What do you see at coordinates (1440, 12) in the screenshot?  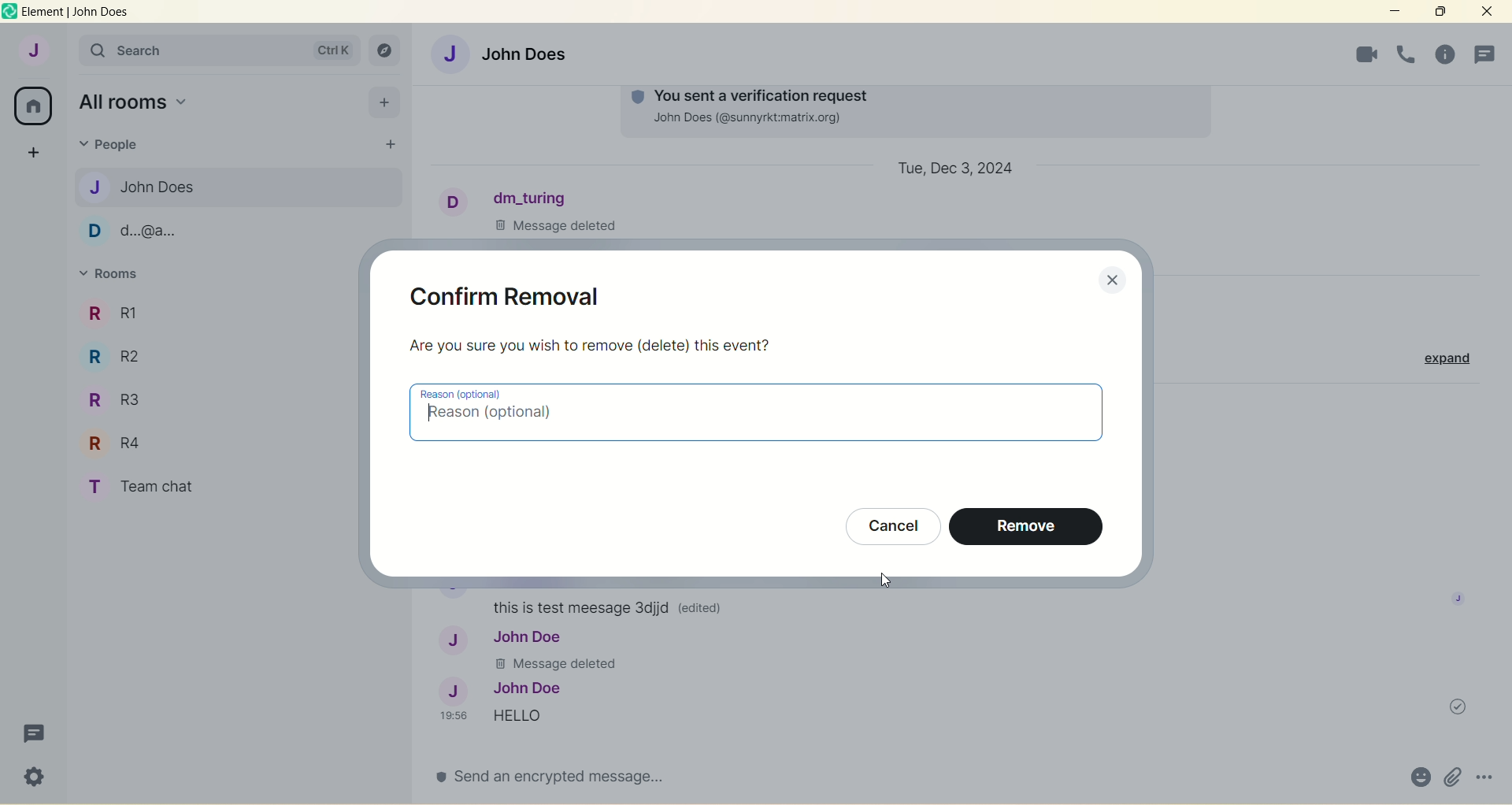 I see `maximize` at bounding box center [1440, 12].